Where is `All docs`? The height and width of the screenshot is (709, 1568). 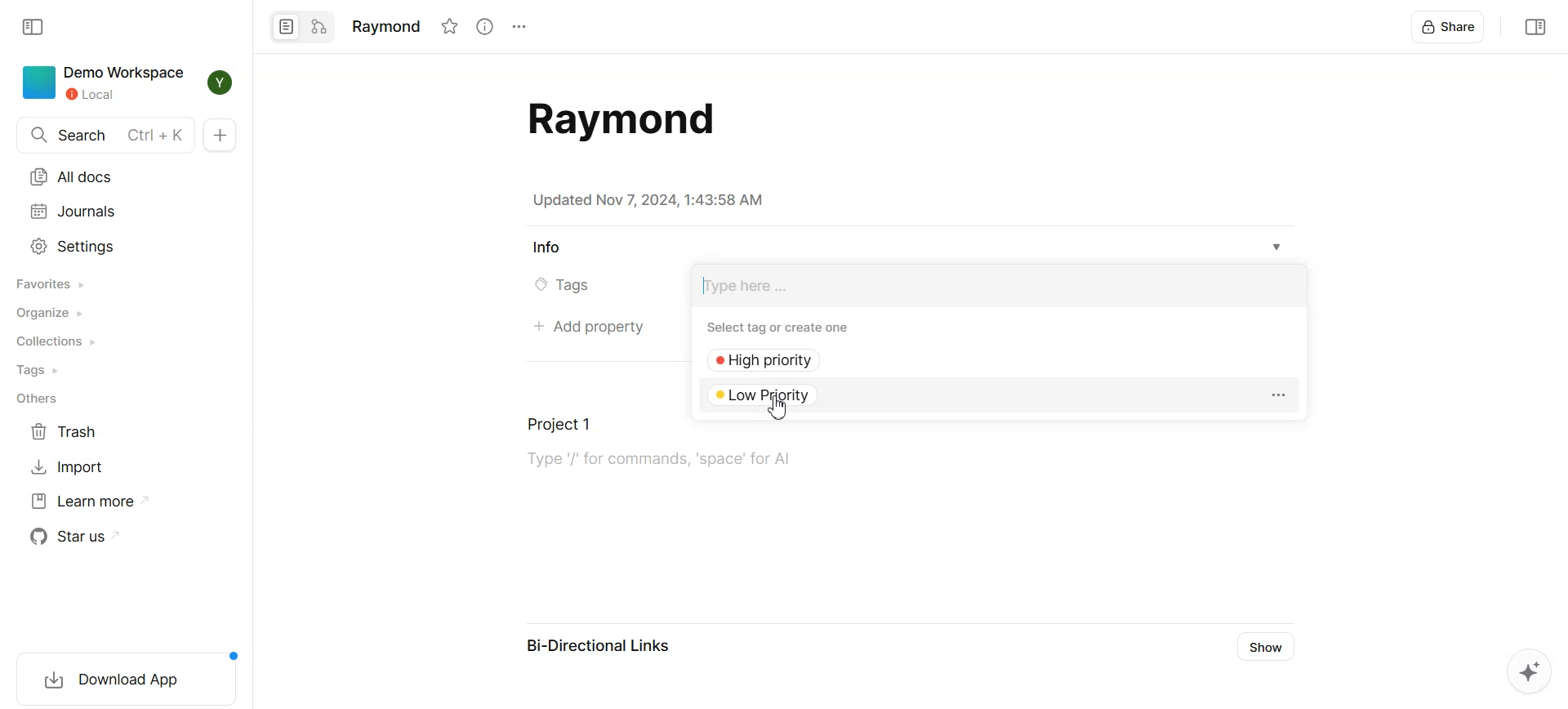 All docs is located at coordinates (74, 177).